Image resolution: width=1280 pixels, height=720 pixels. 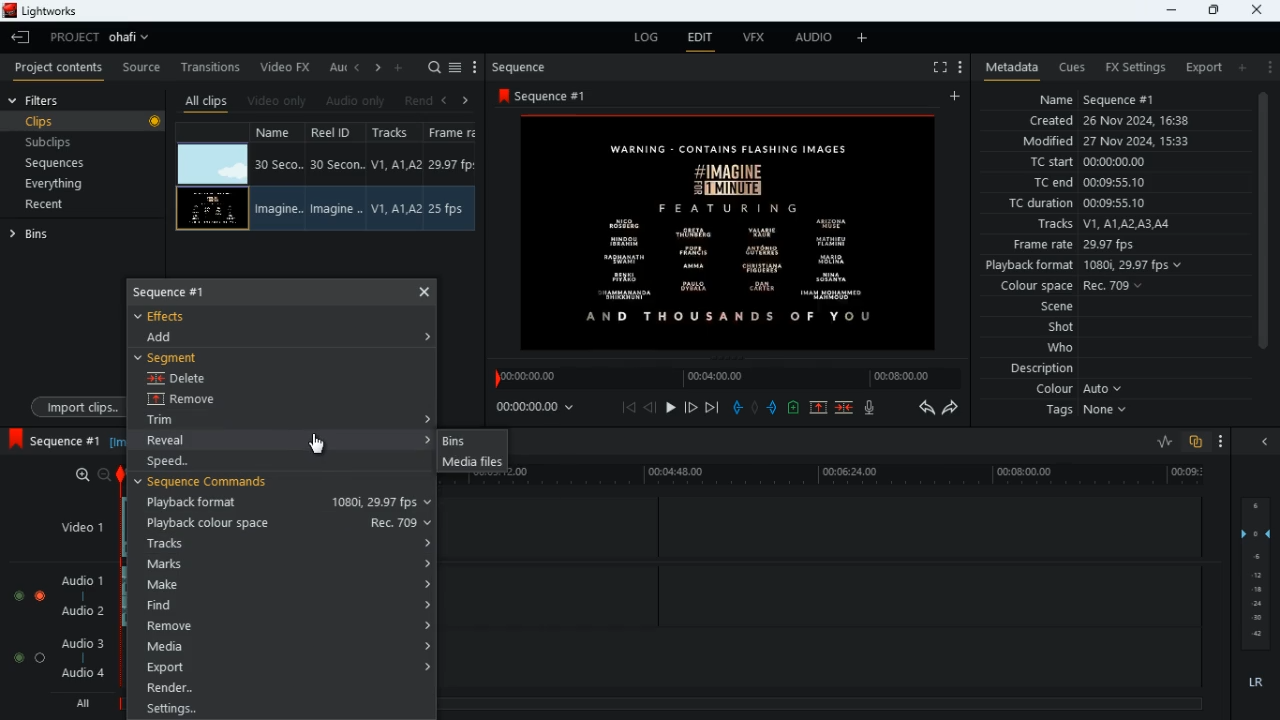 What do you see at coordinates (283, 565) in the screenshot?
I see `marks` at bounding box center [283, 565].